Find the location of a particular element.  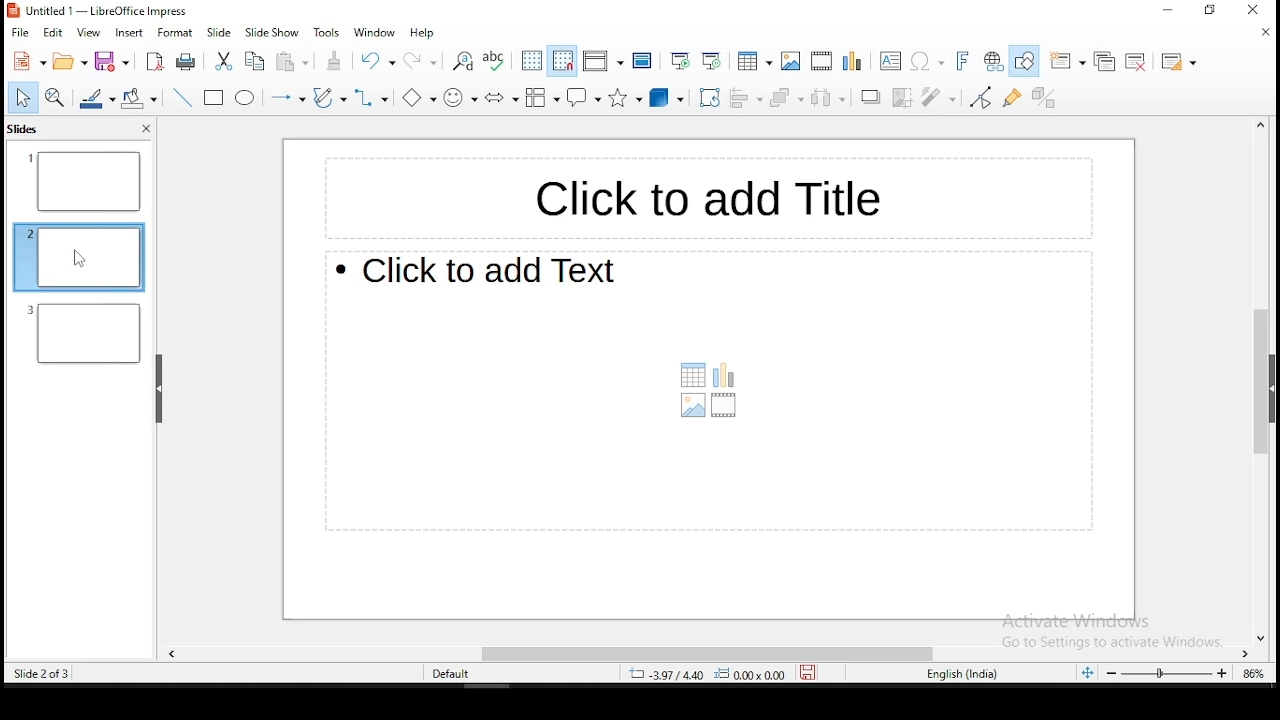

new is located at coordinates (28, 60).